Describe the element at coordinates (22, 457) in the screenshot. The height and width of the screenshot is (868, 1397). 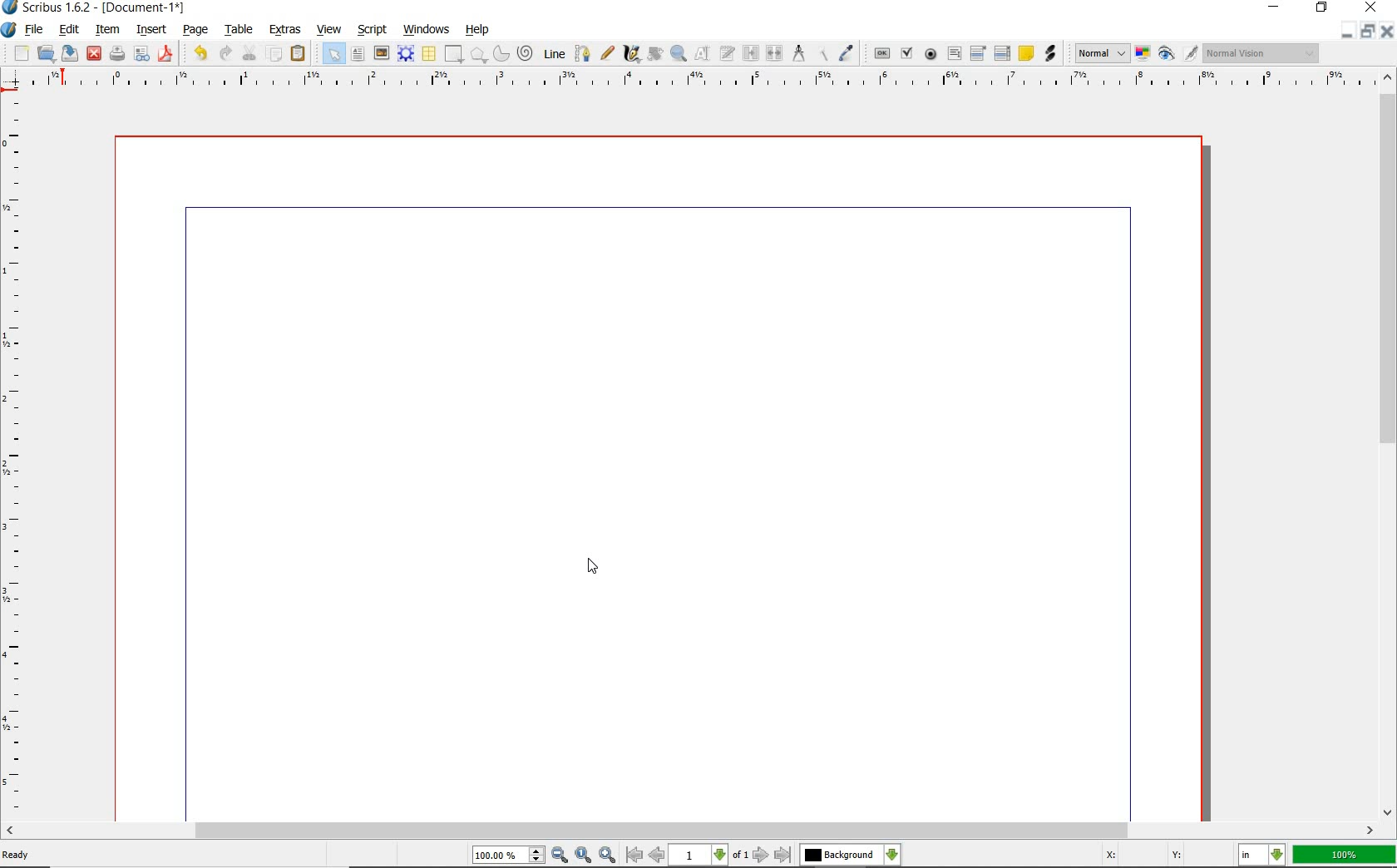
I see `ruler` at that location.